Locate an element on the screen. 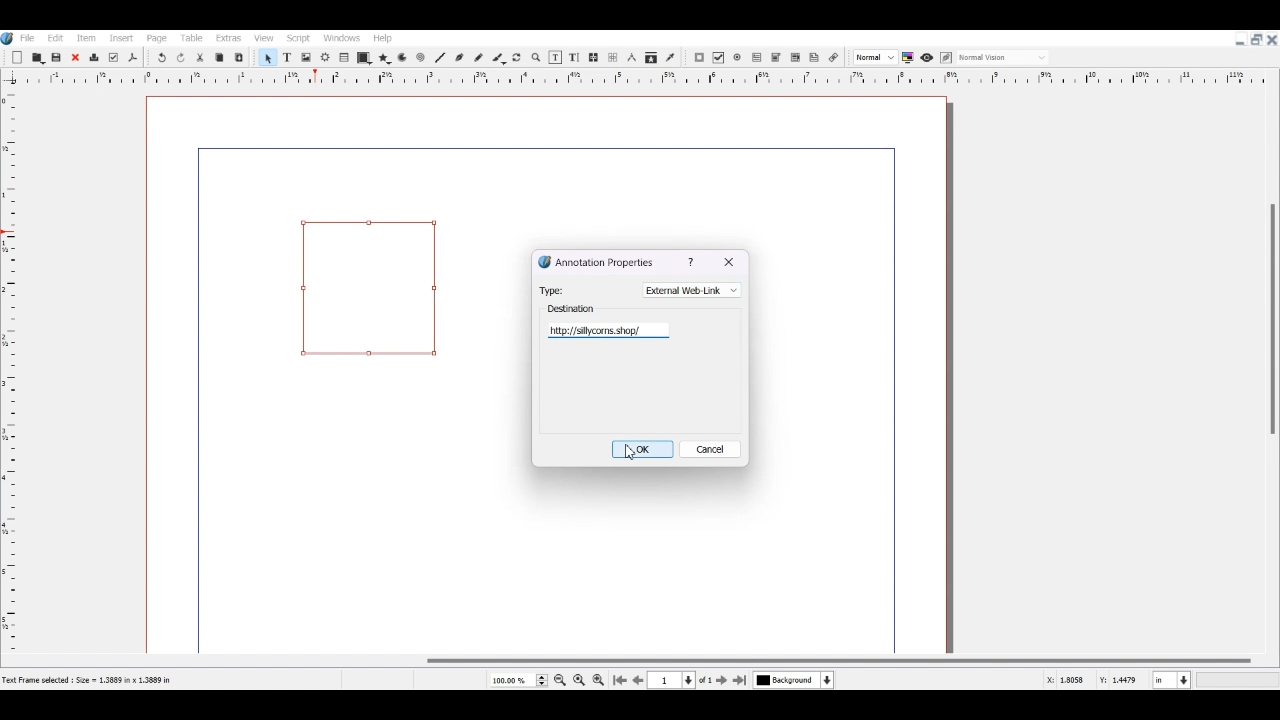 The height and width of the screenshot is (720, 1280). Table is located at coordinates (191, 38).